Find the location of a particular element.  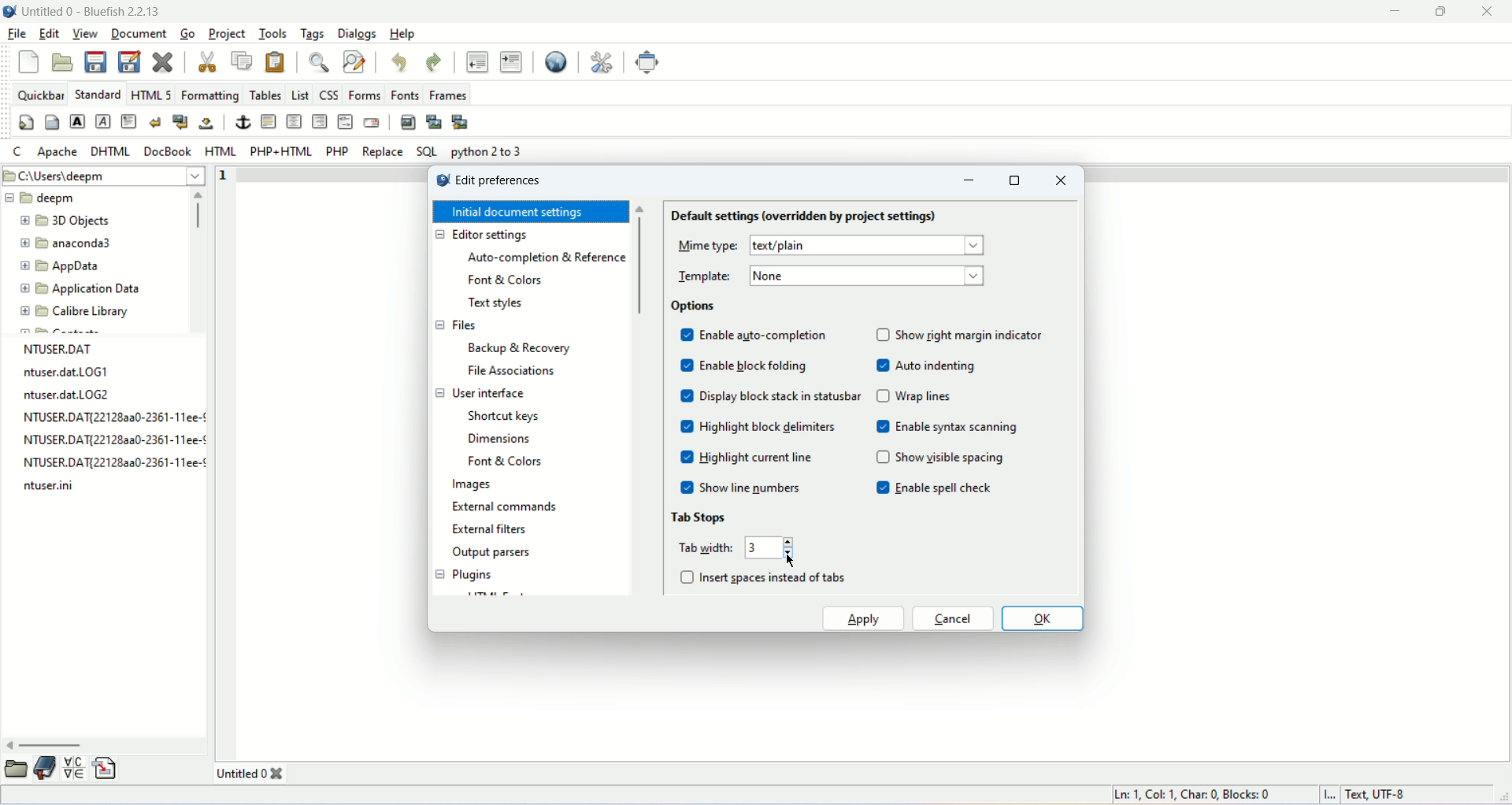

close is located at coordinates (1062, 180).